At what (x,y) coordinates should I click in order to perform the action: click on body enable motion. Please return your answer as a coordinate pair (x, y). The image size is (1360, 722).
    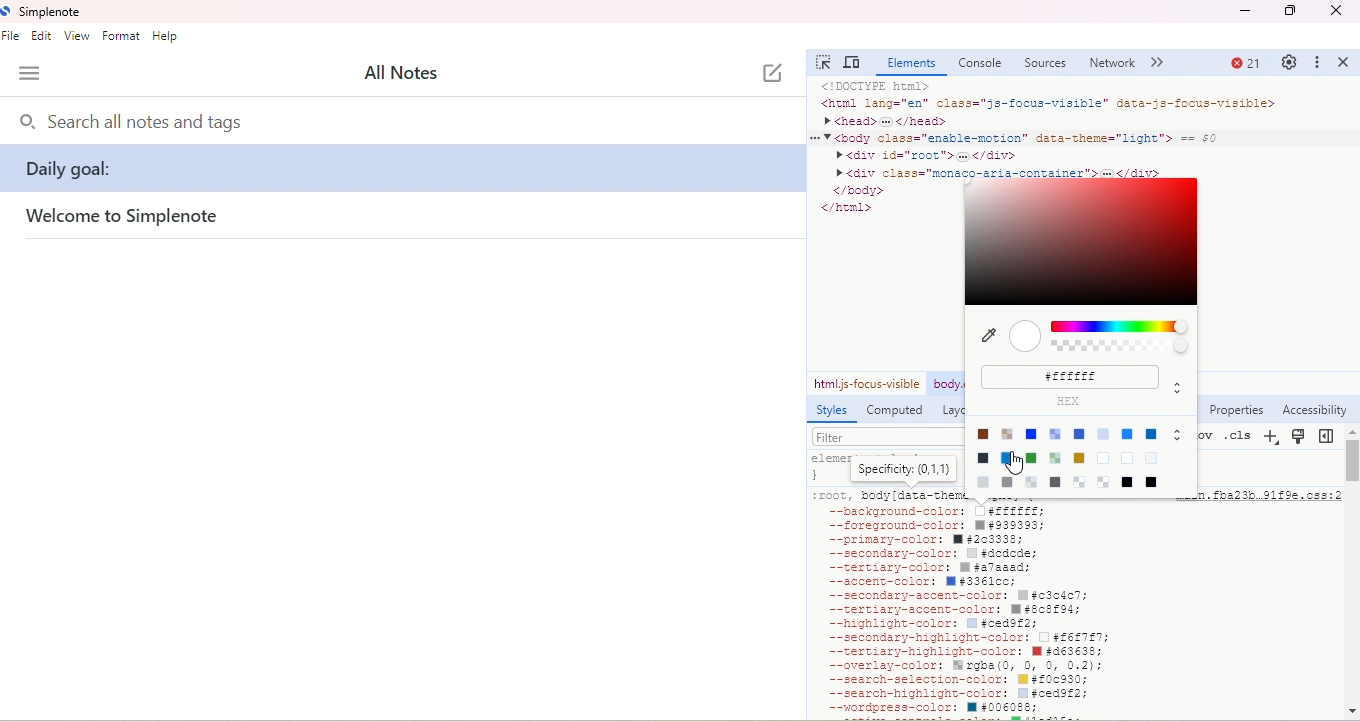
    Looking at the image, I should click on (947, 386).